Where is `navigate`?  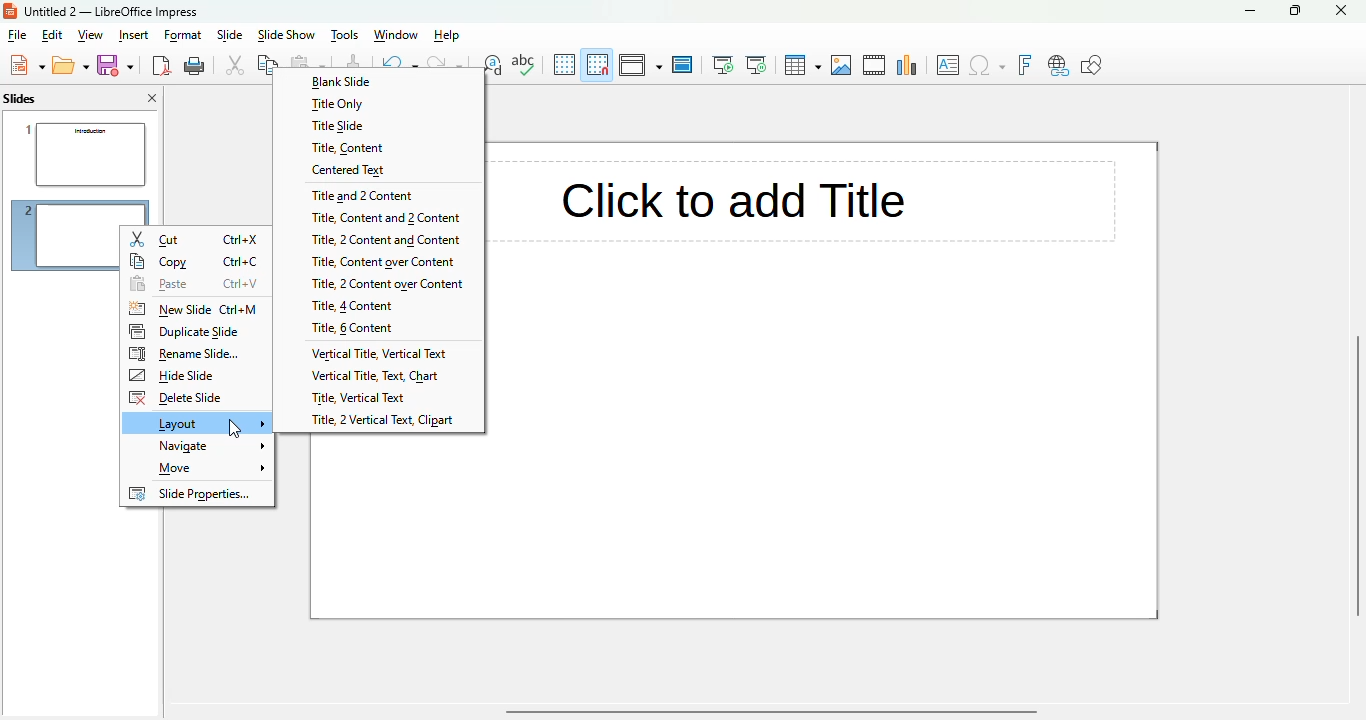 navigate is located at coordinates (199, 446).